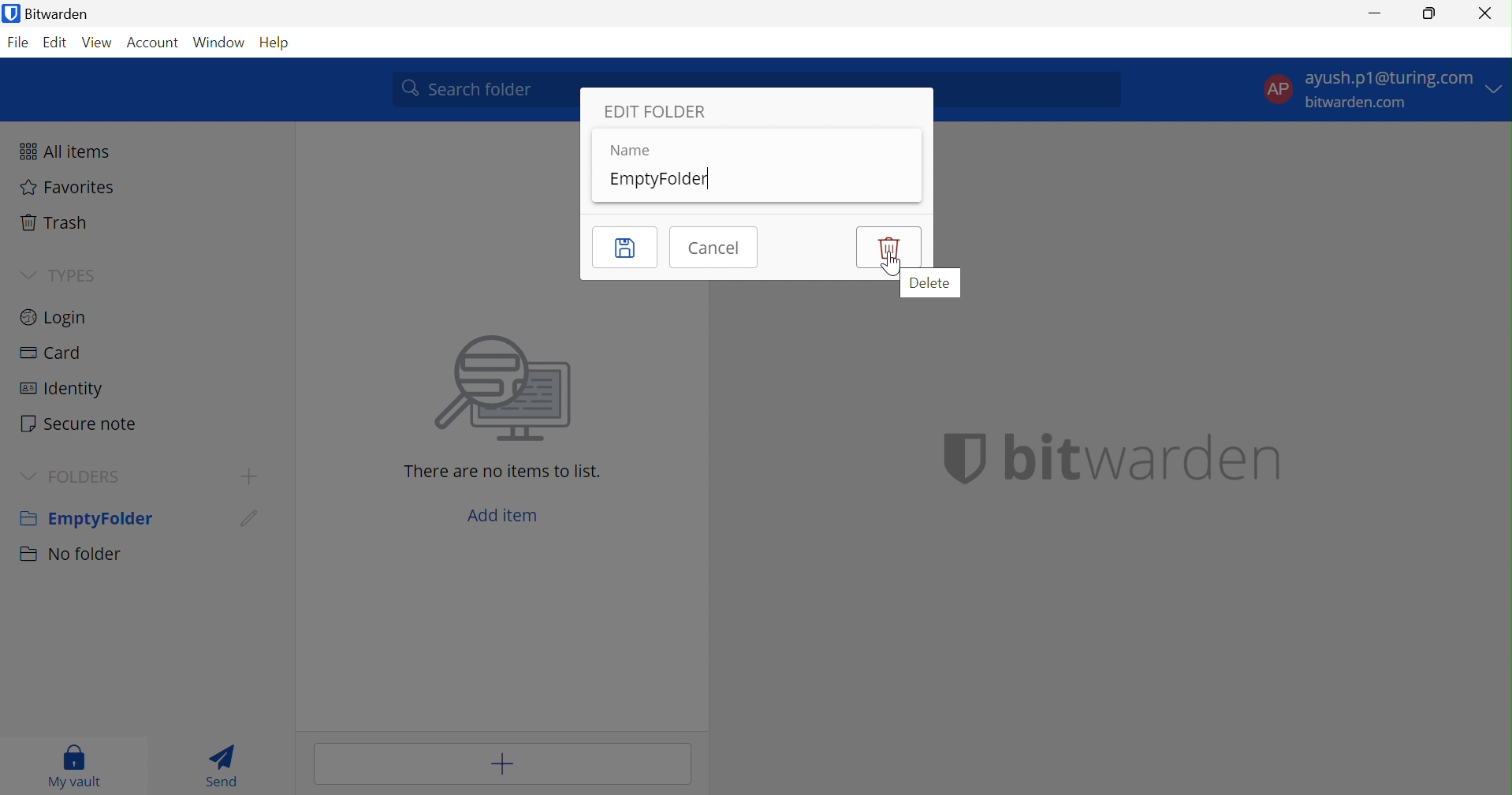 The height and width of the screenshot is (795, 1512). Describe the element at coordinates (891, 266) in the screenshot. I see `cursor` at that location.